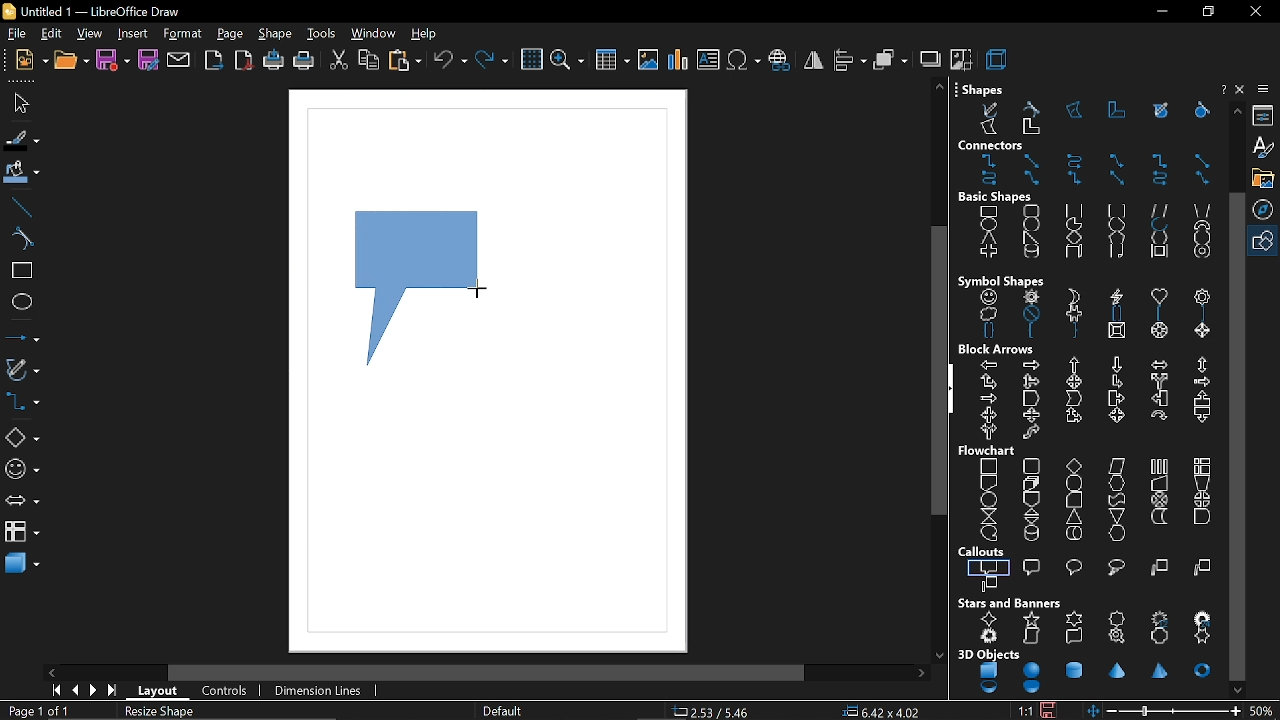 This screenshot has width=1280, height=720. What do you see at coordinates (1116, 316) in the screenshot?
I see `double bracket` at bounding box center [1116, 316].